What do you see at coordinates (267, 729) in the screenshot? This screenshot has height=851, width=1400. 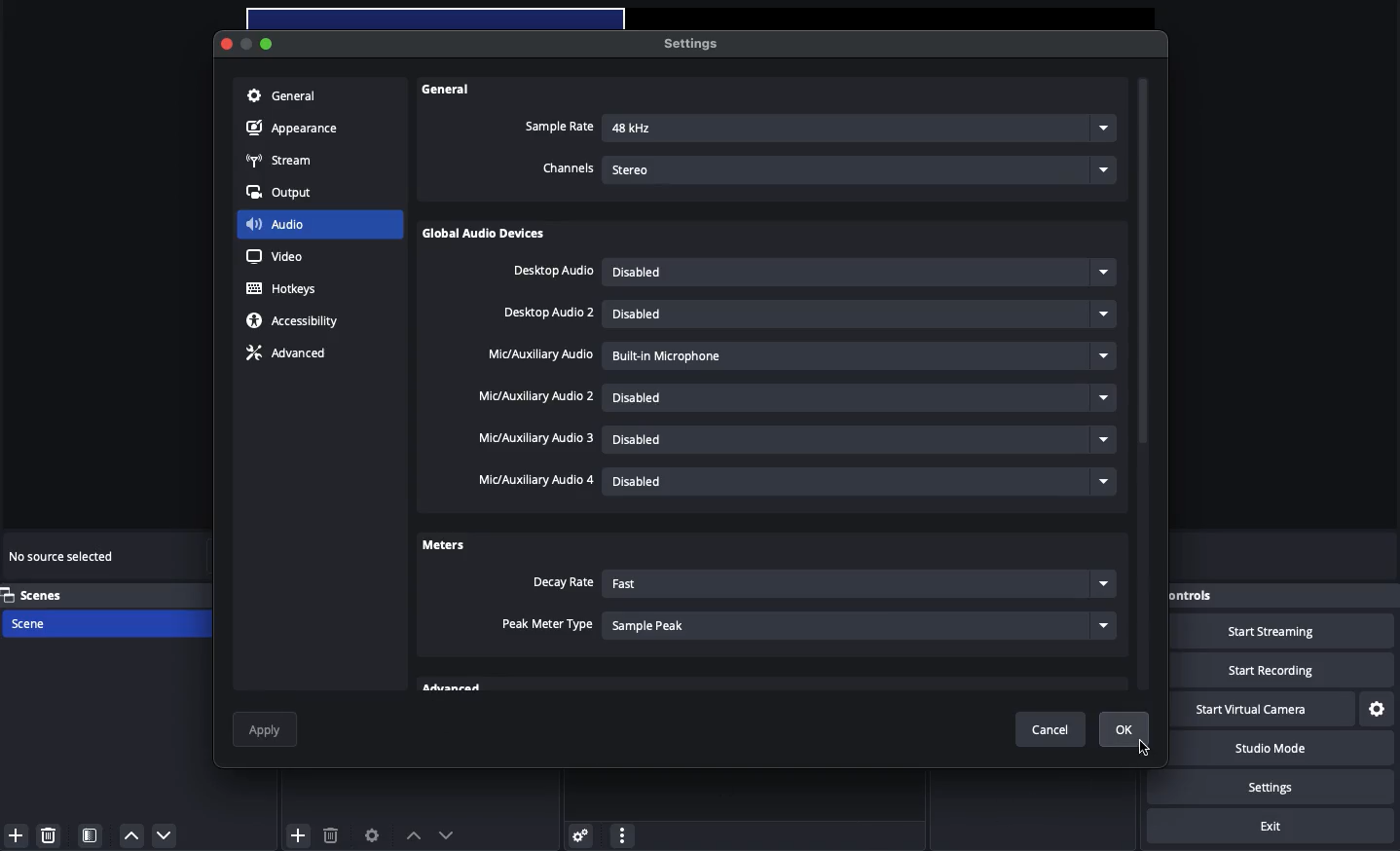 I see `Apply` at bounding box center [267, 729].